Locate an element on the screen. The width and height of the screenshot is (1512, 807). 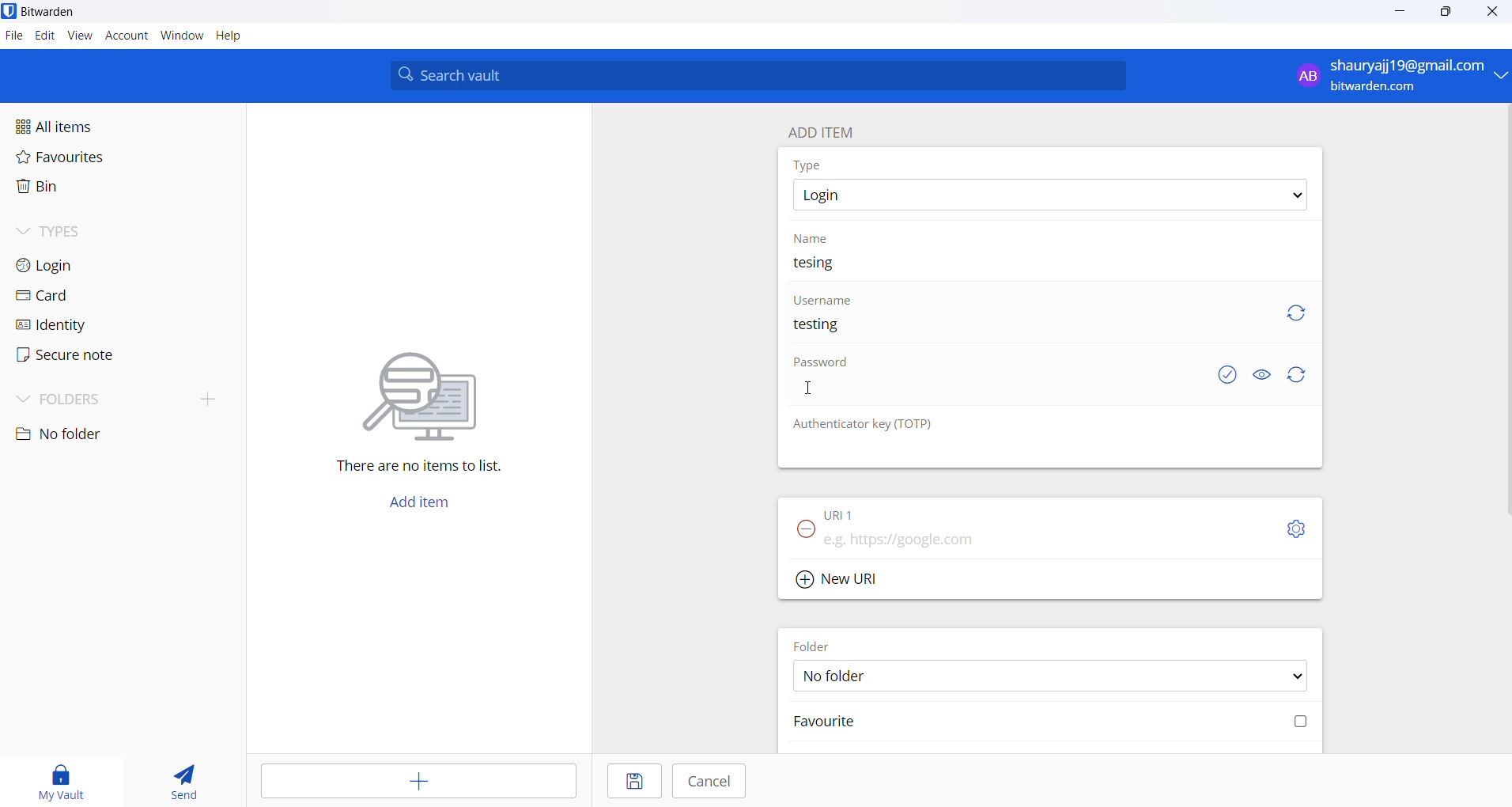
check if password is exposed  is located at coordinates (1227, 375).